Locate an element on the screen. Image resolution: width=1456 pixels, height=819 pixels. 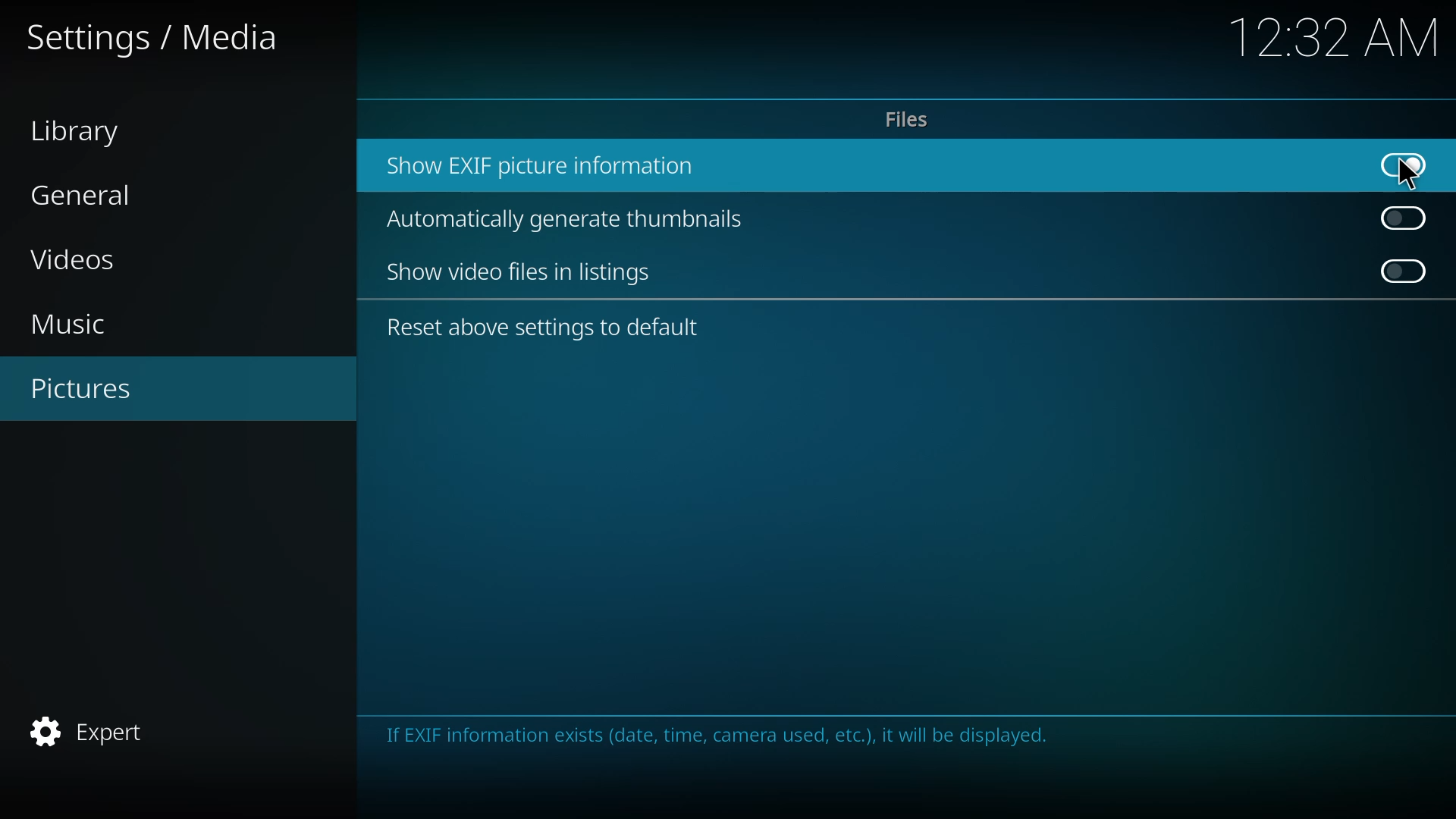
library is located at coordinates (85, 130).